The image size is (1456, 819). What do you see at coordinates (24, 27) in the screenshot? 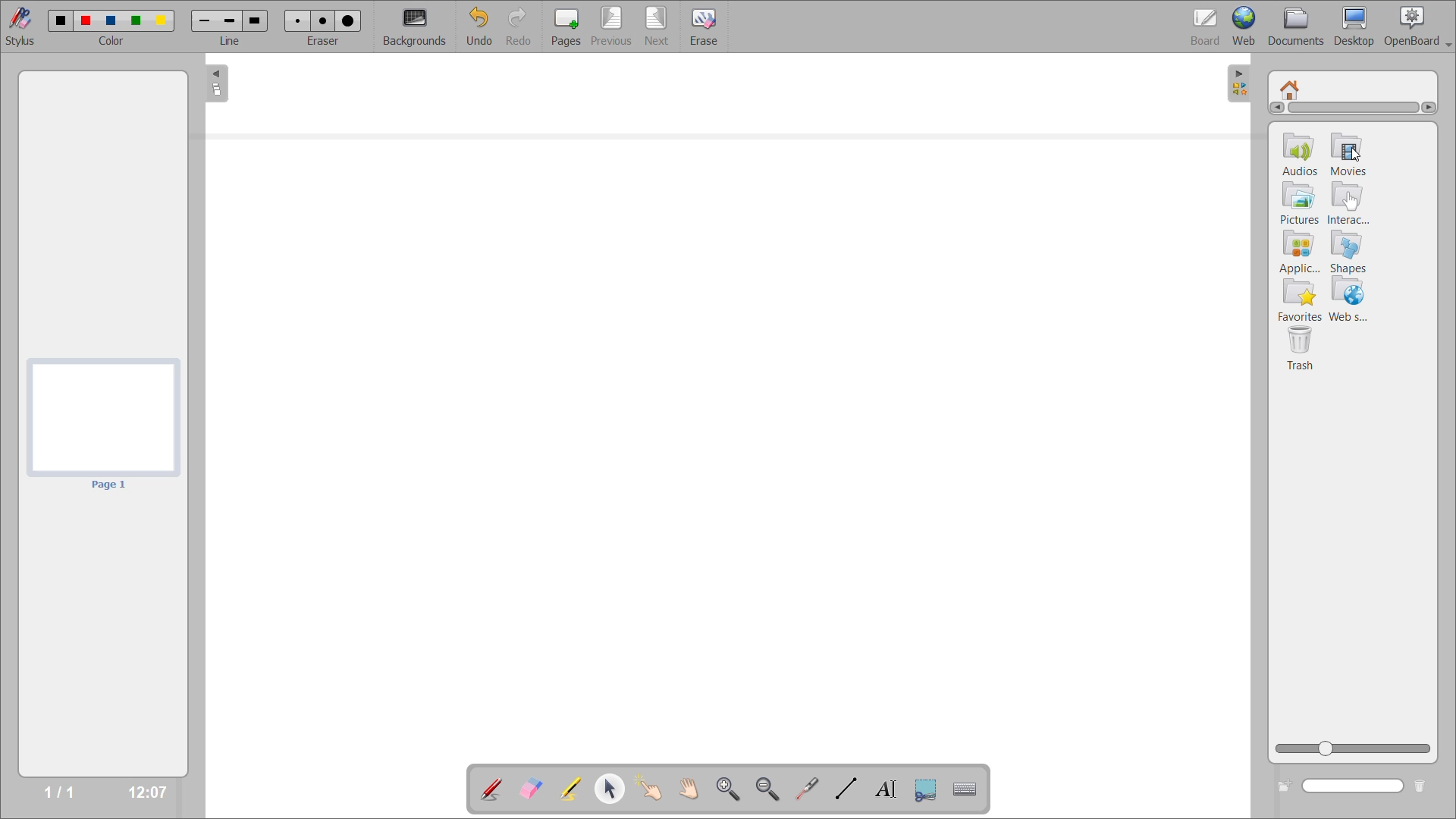
I see `stylus` at bounding box center [24, 27].